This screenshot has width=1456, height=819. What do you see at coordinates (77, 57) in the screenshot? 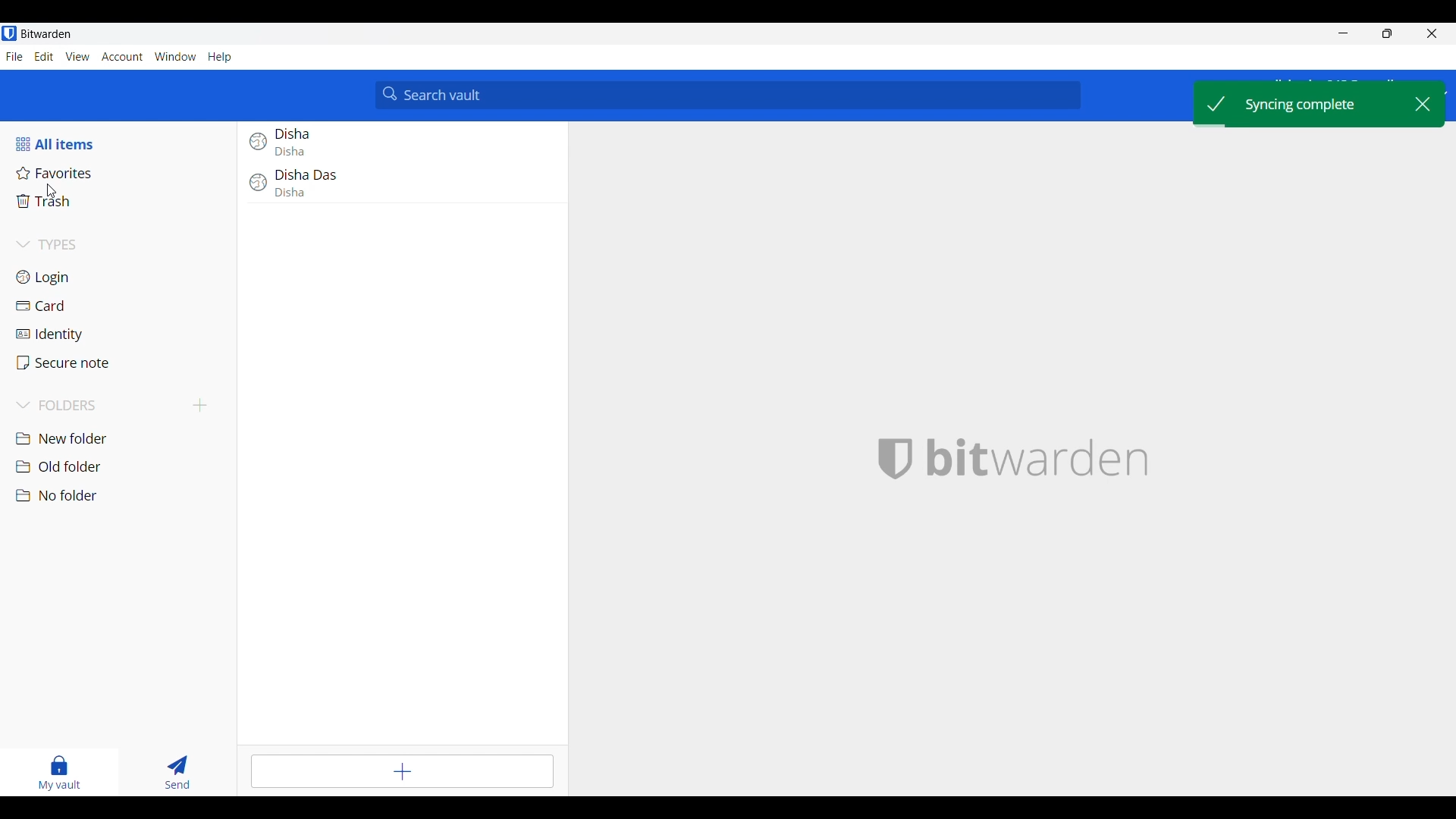
I see `View menu` at bounding box center [77, 57].